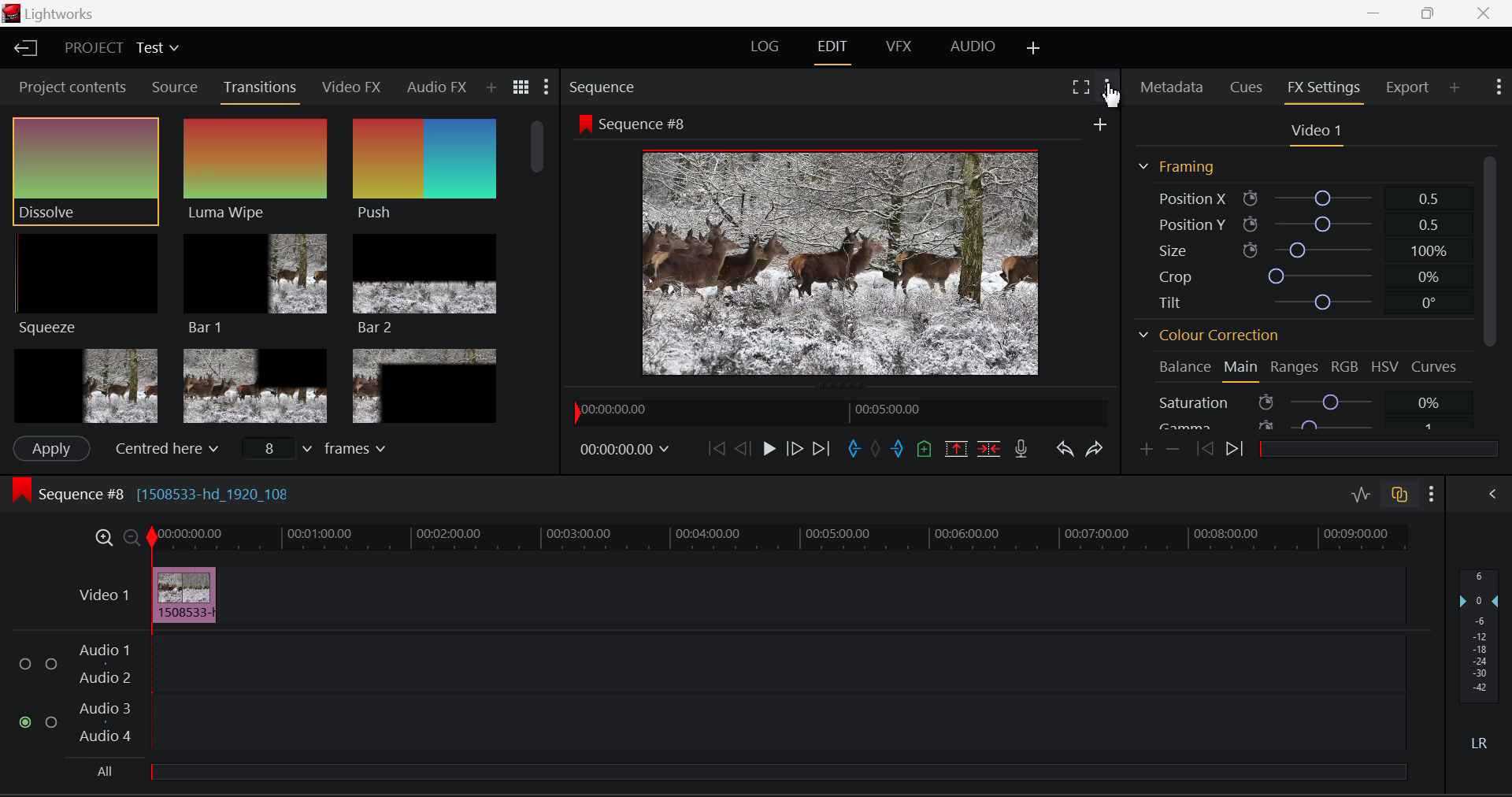  Describe the element at coordinates (353, 88) in the screenshot. I see `Video FX` at that location.